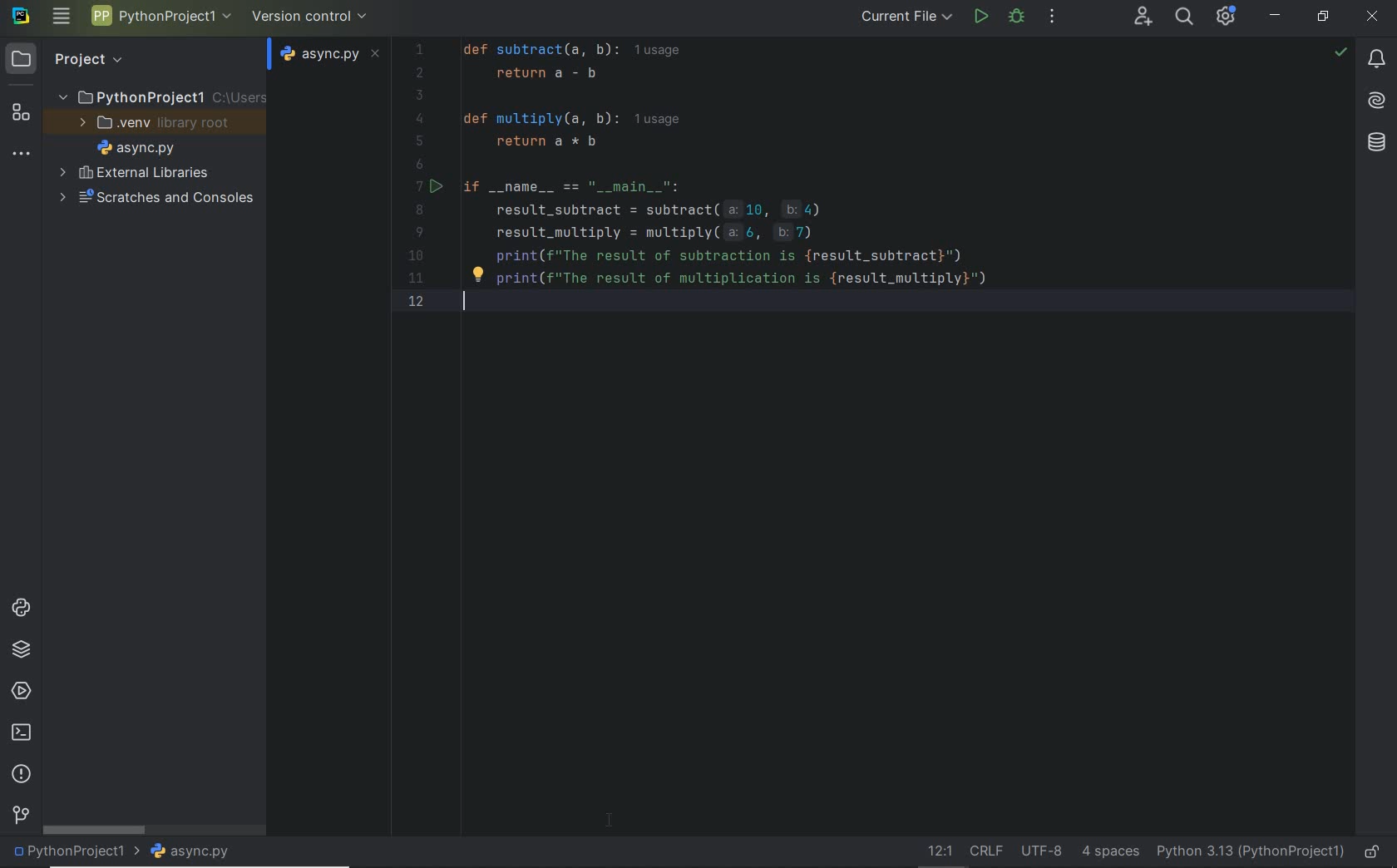  I want to click on RESTORE DOWN, so click(1323, 18).